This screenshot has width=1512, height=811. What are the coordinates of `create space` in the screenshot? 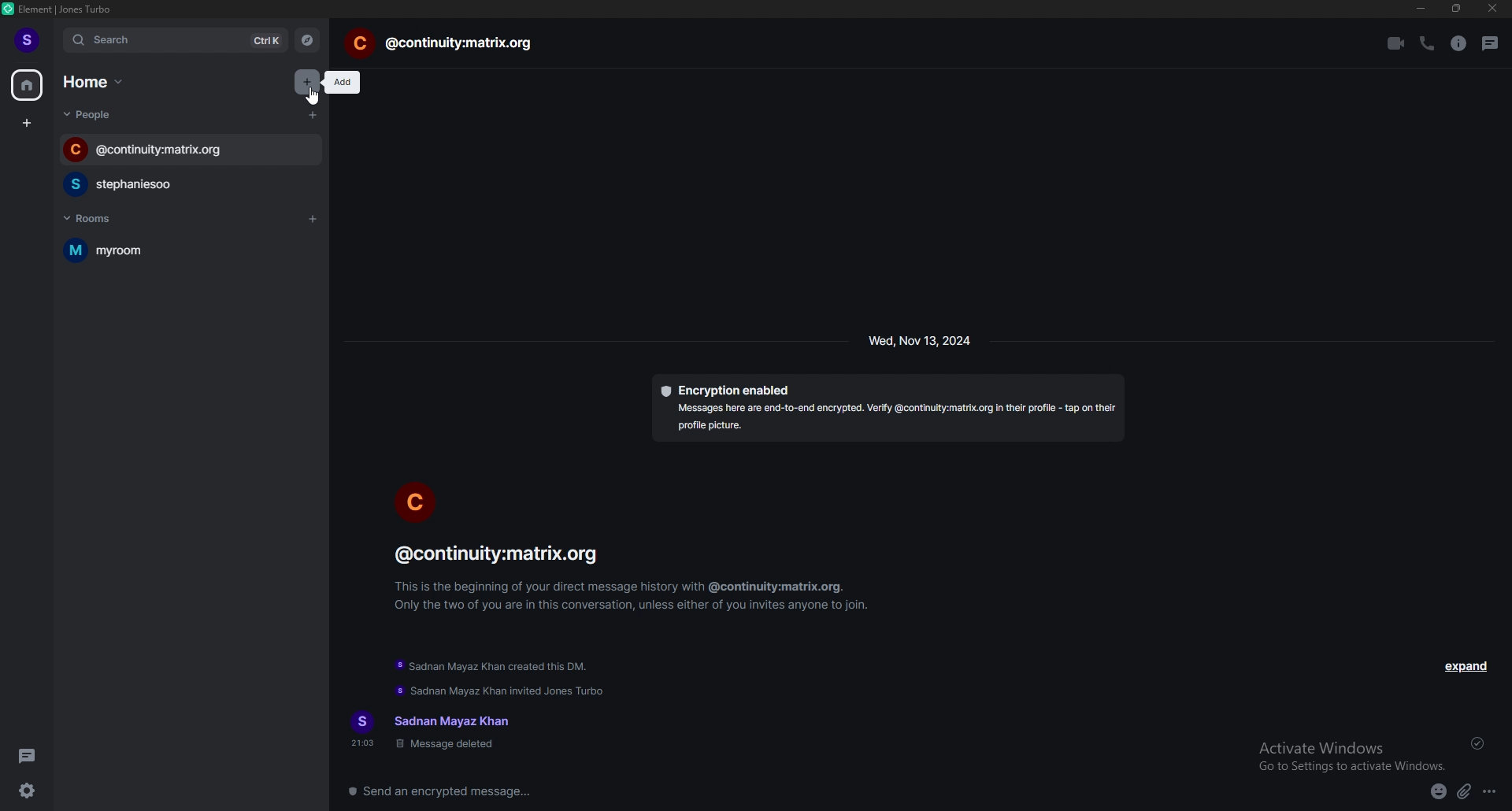 It's located at (28, 124).